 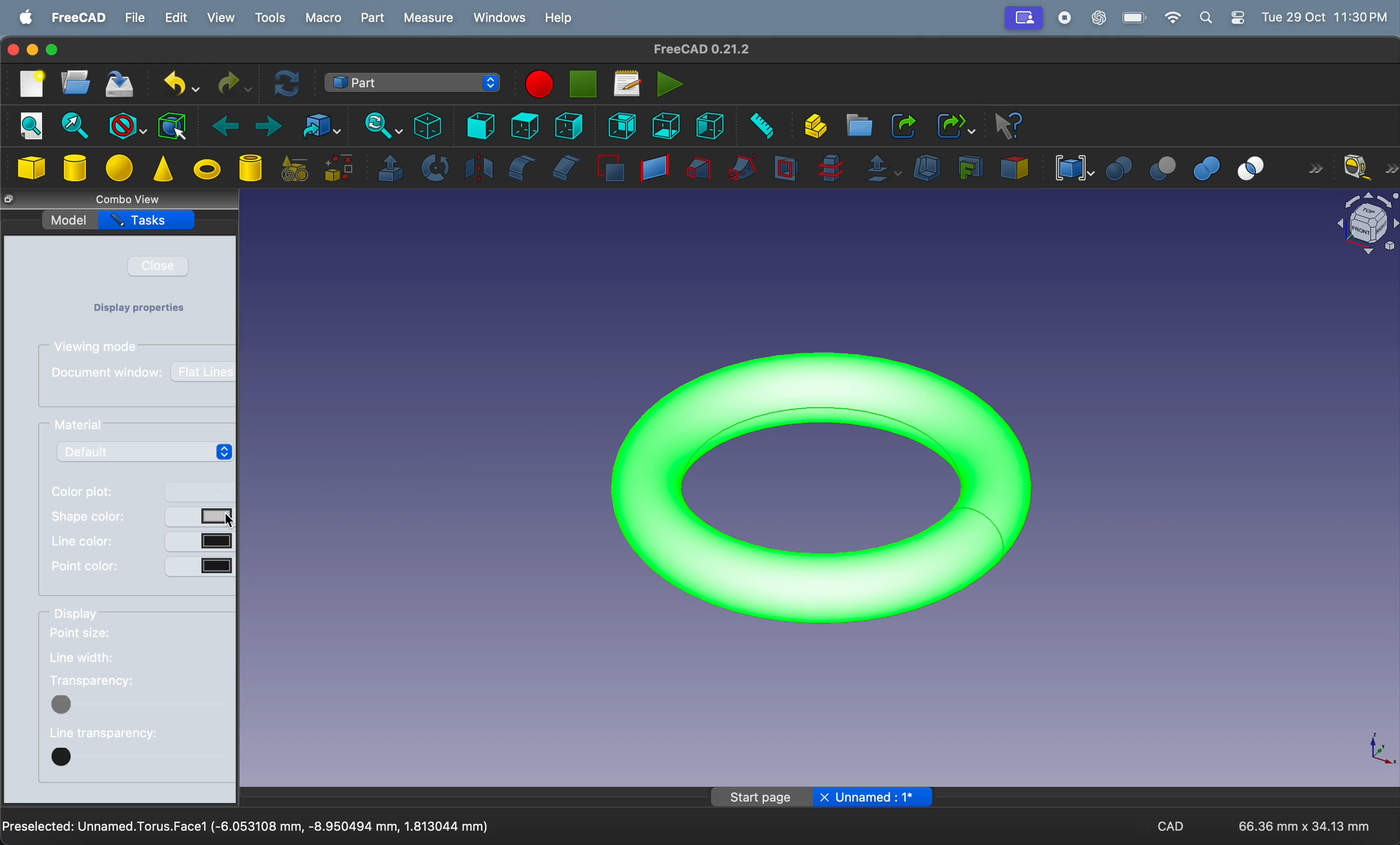 I want to click on default, so click(x=145, y=451).